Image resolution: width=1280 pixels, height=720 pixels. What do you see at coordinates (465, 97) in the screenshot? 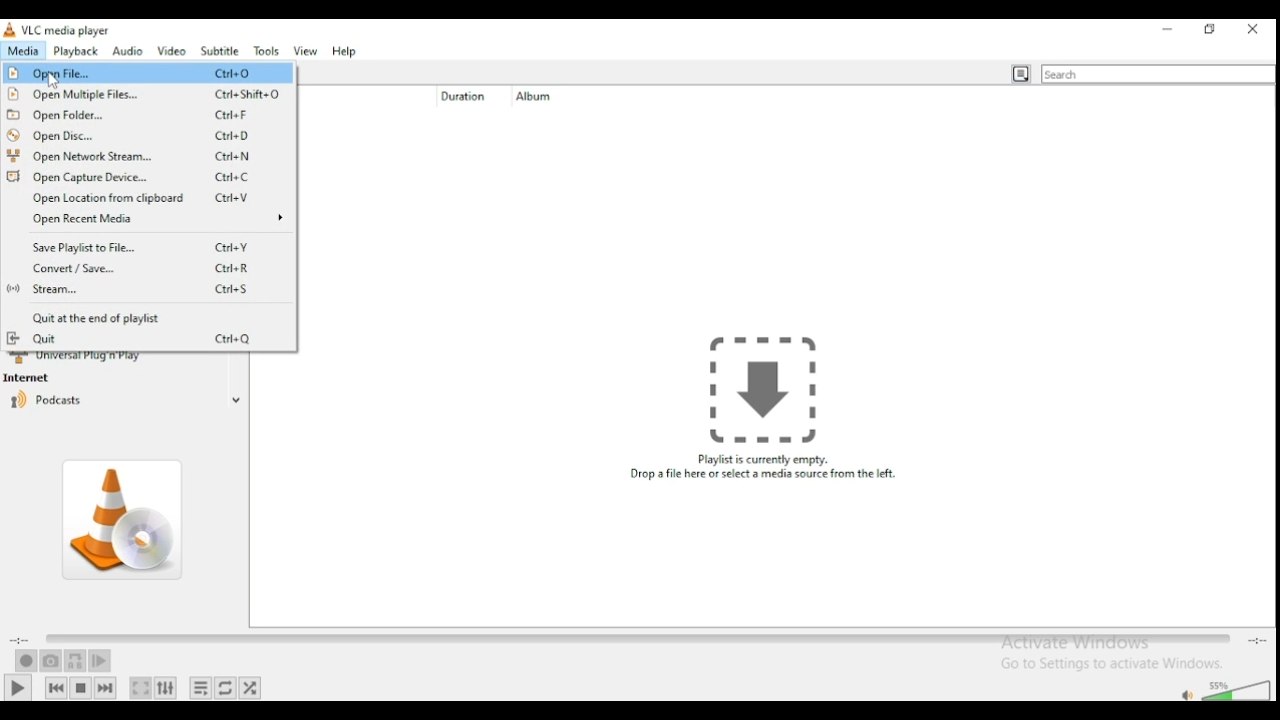
I see `duration` at bounding box center [465, 97].